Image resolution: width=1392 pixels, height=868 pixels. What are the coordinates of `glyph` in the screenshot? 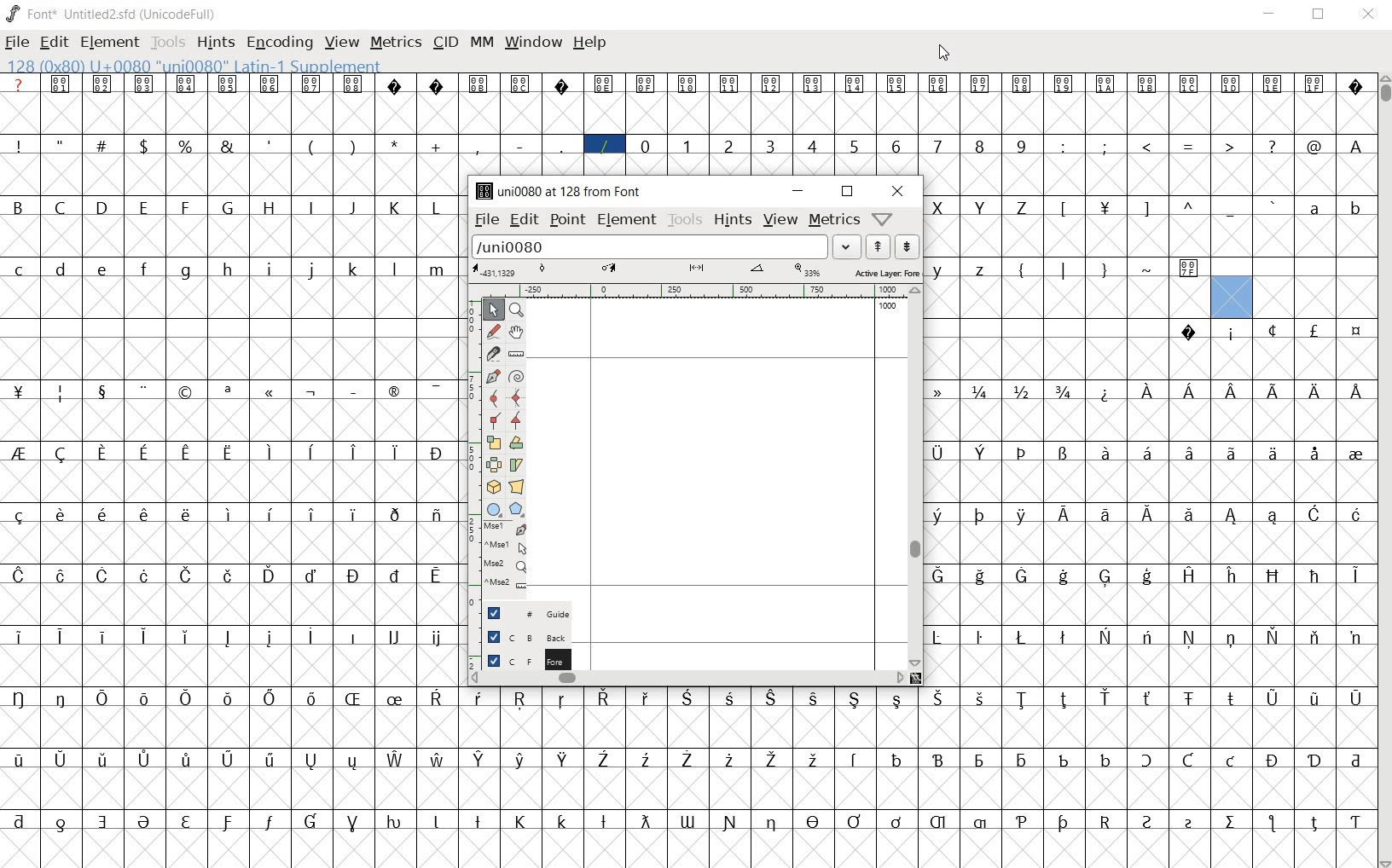 It's located at (854, 148).